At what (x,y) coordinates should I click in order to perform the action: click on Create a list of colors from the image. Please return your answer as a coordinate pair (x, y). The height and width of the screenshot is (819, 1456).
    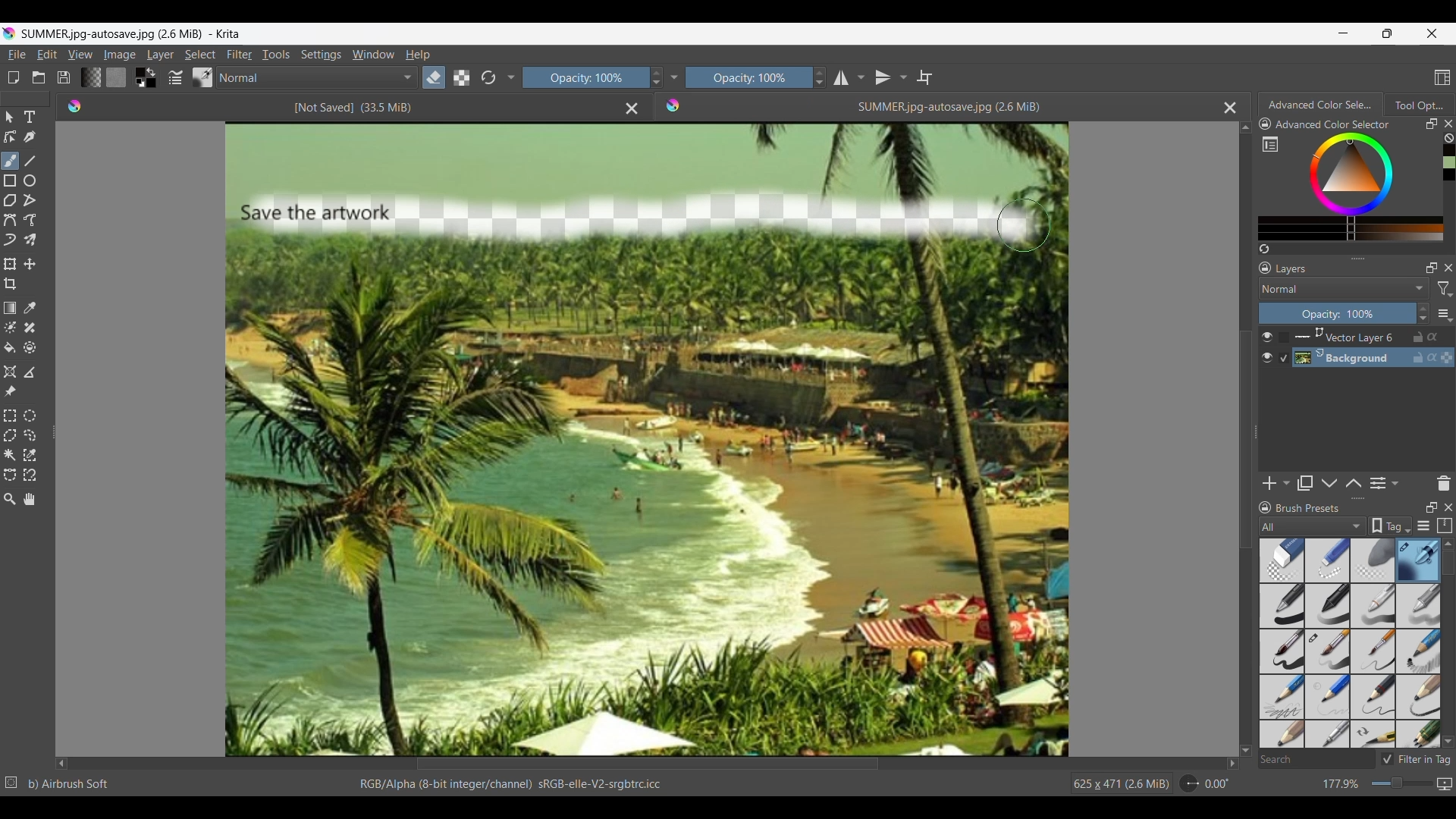
    Looking at the image, I should click on (1264, 249).